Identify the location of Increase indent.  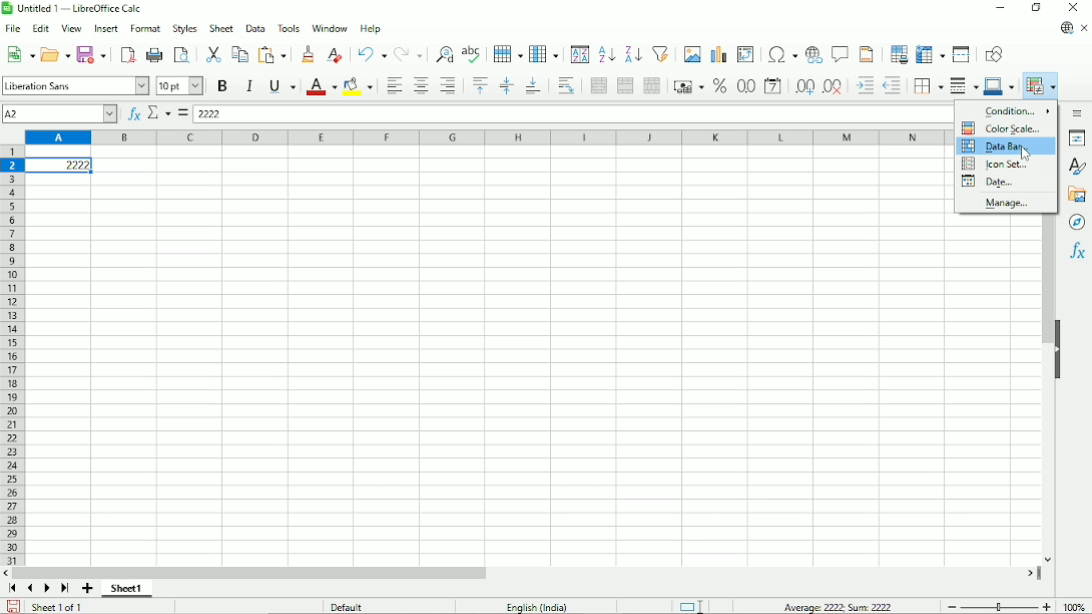
(864, 86).